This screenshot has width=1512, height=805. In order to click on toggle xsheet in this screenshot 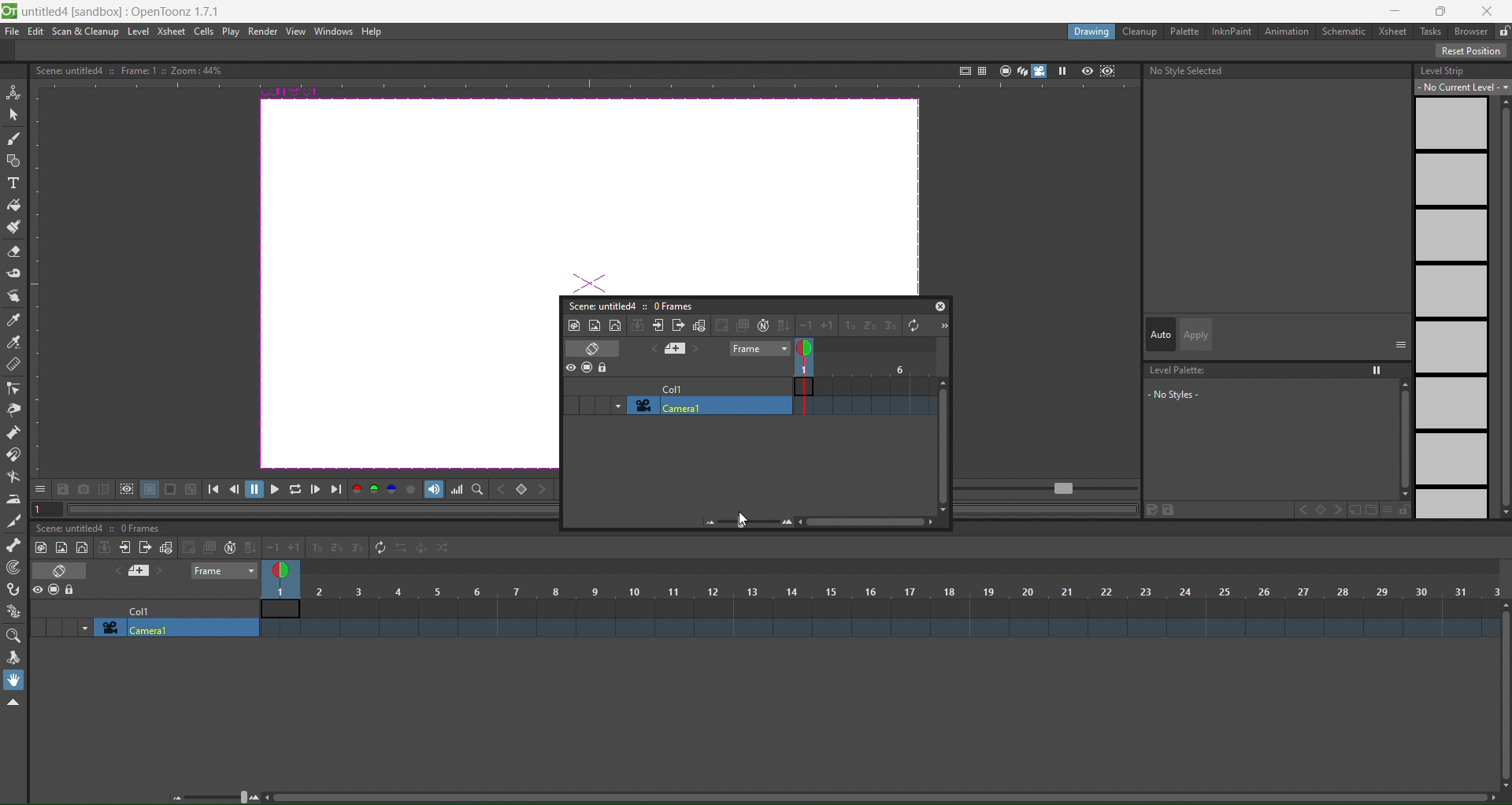, I will do `click(65, 570)`.